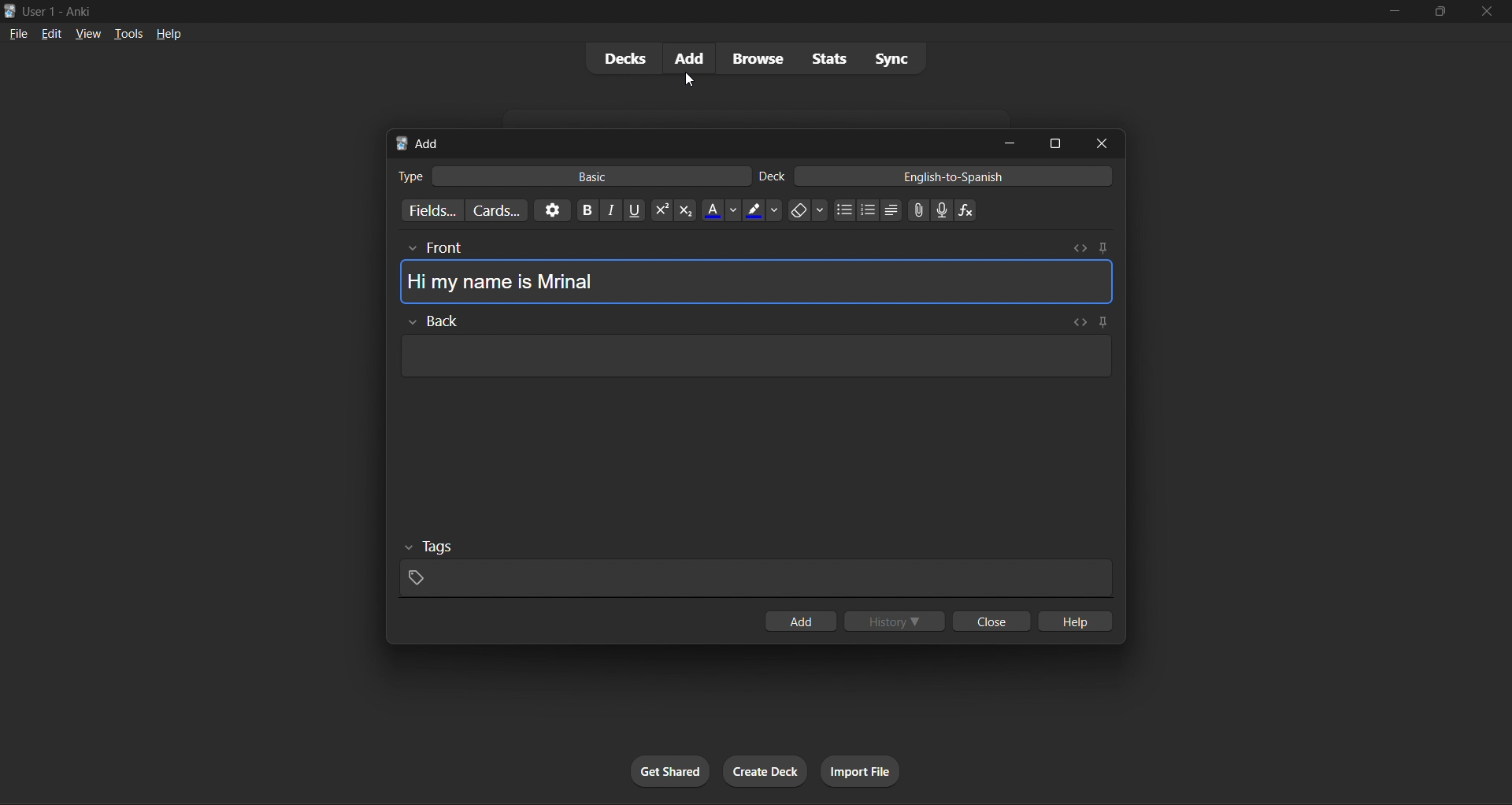 The width and height of the screenshot is (1512, 805). I want to click on english-to-spanish deck, so click(936, 178).